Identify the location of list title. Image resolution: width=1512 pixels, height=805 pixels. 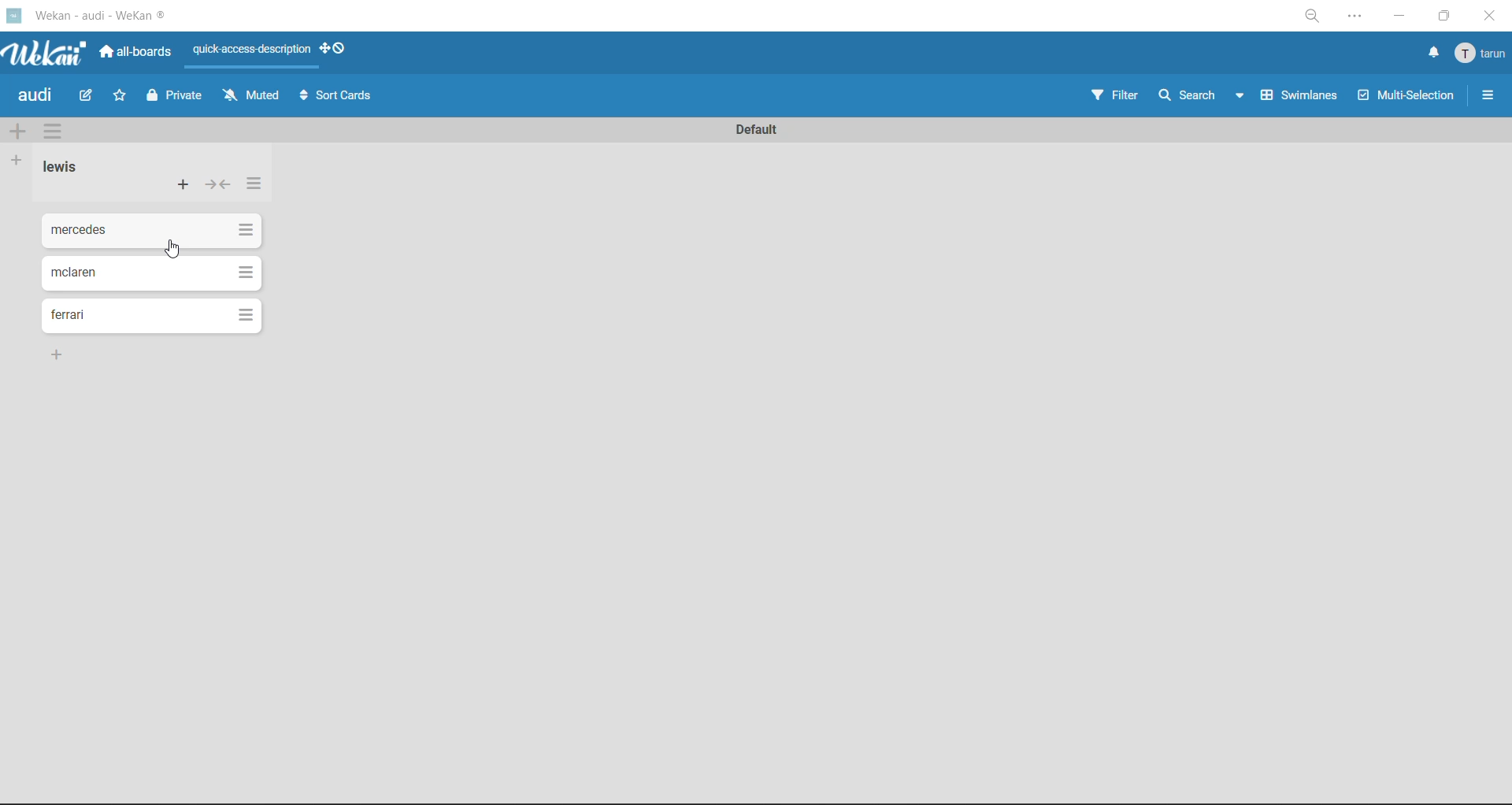
(67, 167).